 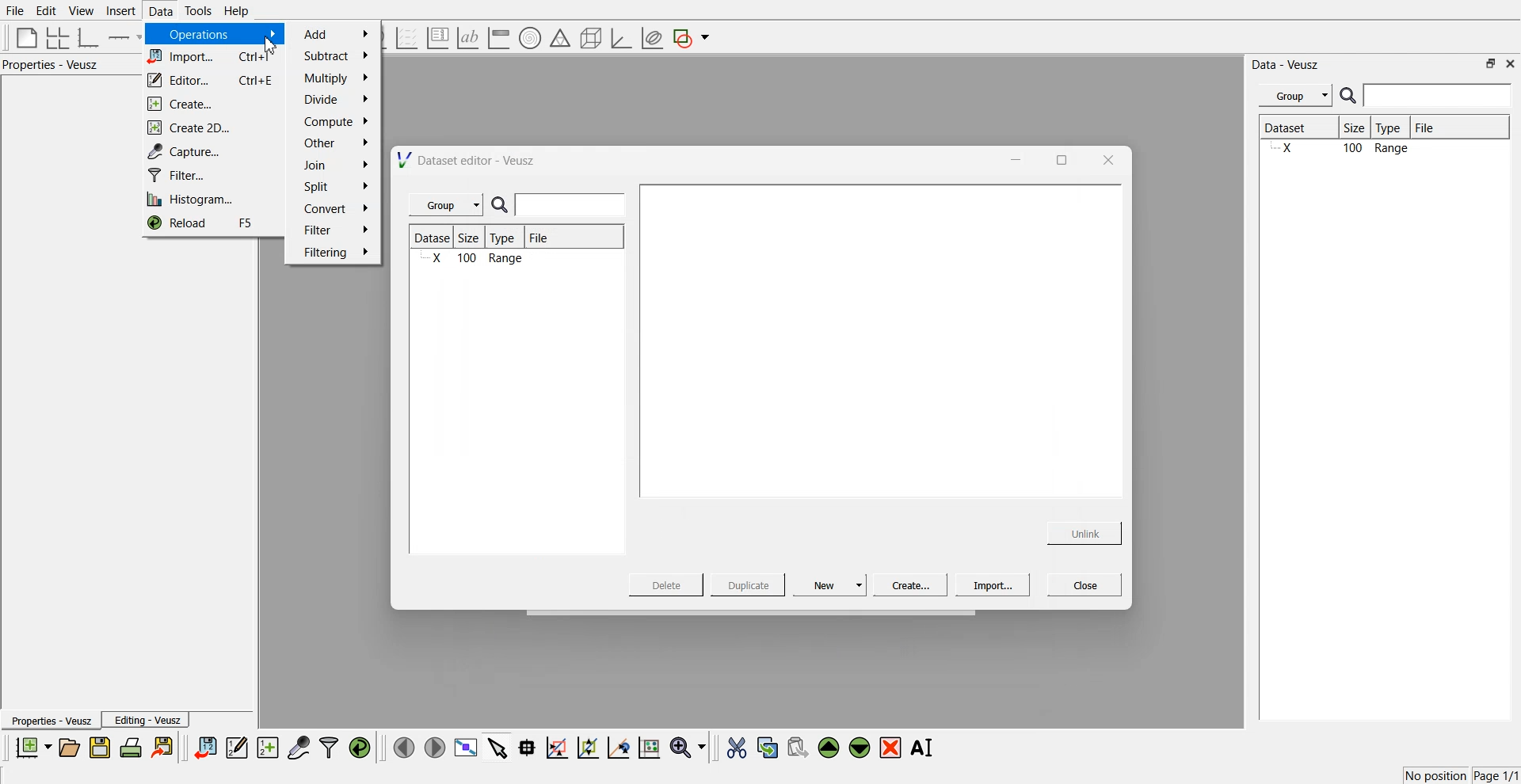 I want to click on save, so click(x=102, y=748).